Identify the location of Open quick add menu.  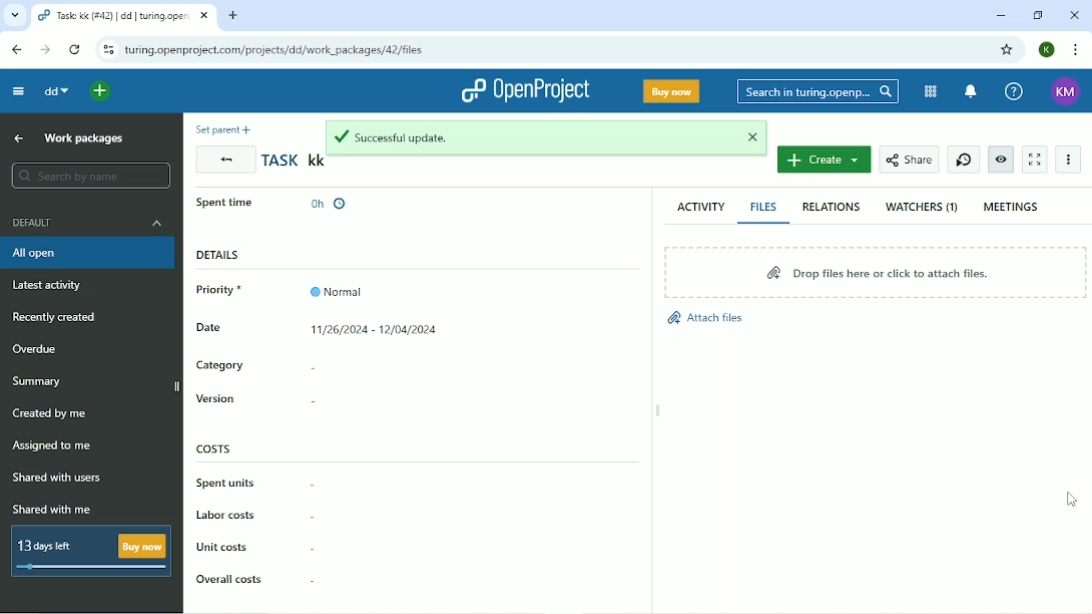
(103, 92).